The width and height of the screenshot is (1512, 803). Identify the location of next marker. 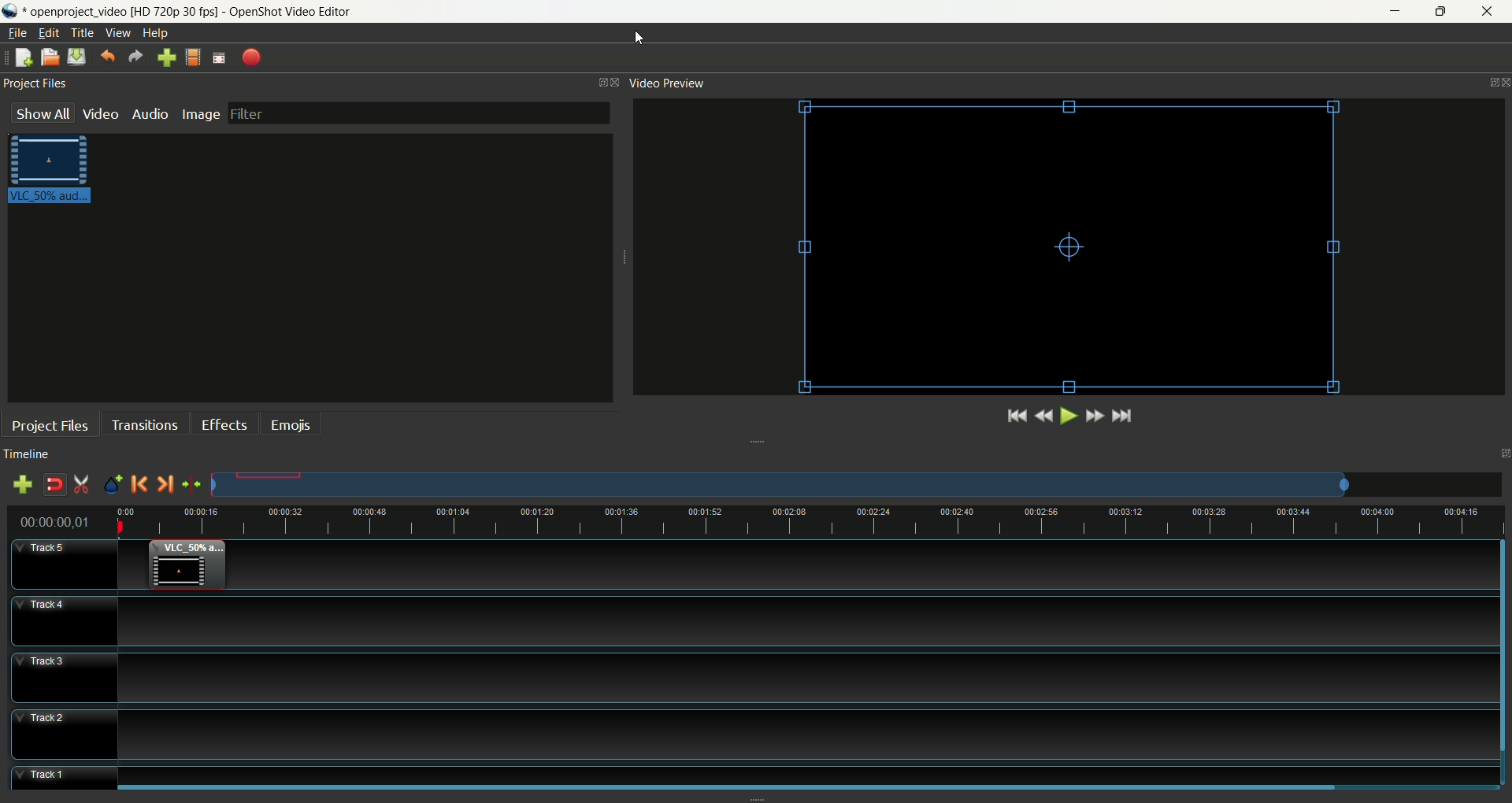
(165, 484).